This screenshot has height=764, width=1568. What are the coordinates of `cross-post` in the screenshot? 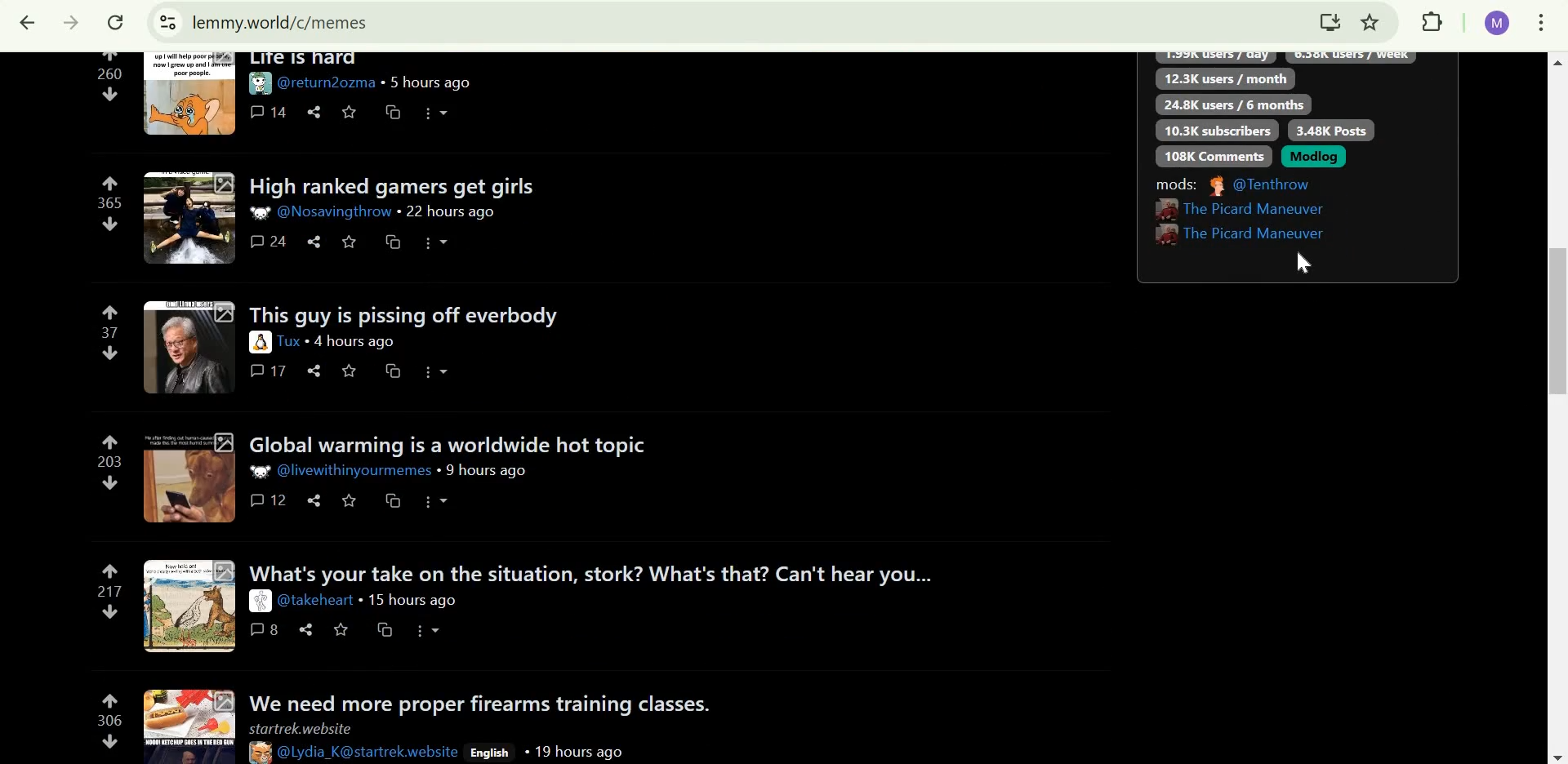 It's located at (385, 630).